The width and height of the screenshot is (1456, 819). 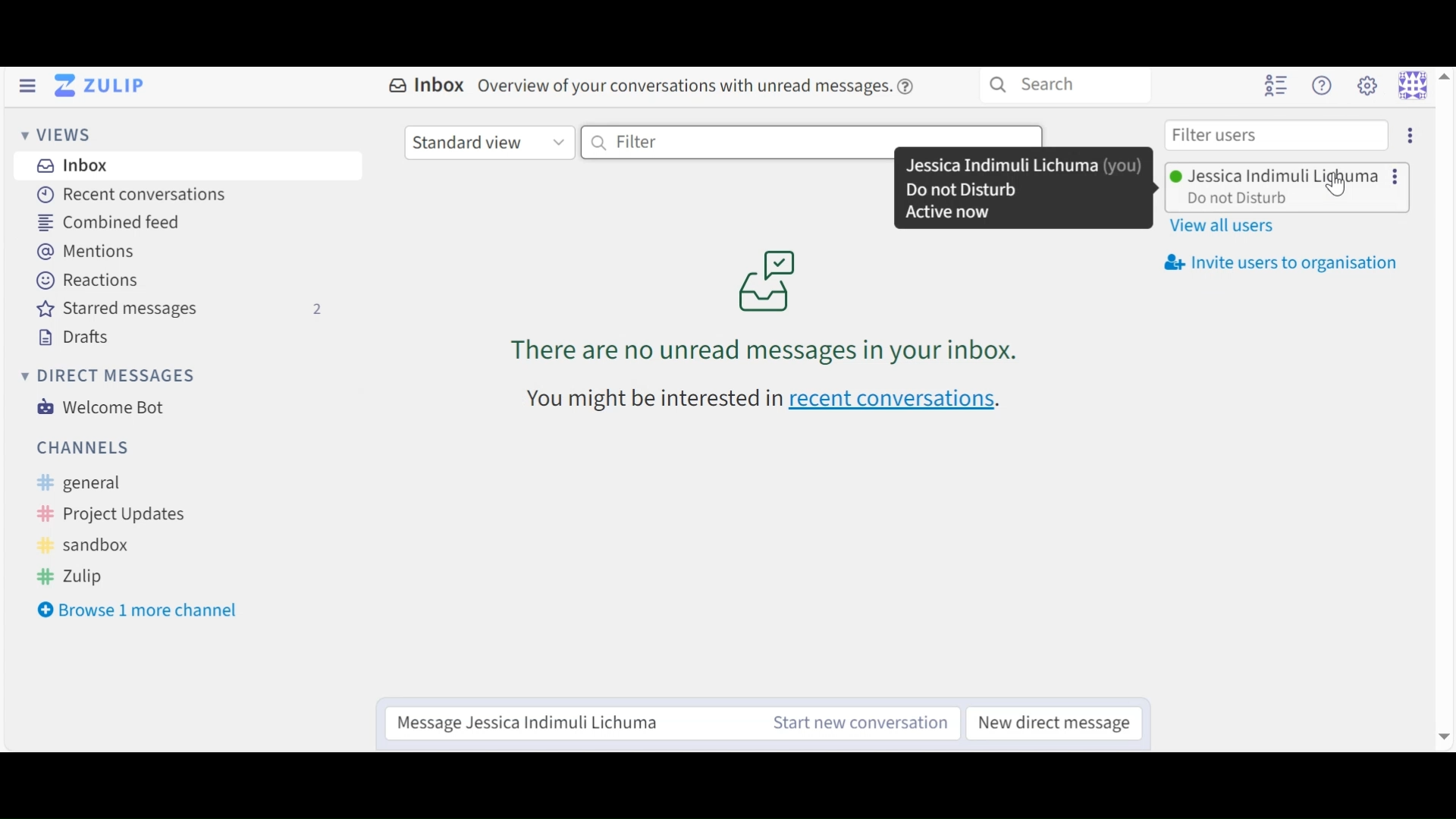 I want to click on general, so click(x=96, y=482).